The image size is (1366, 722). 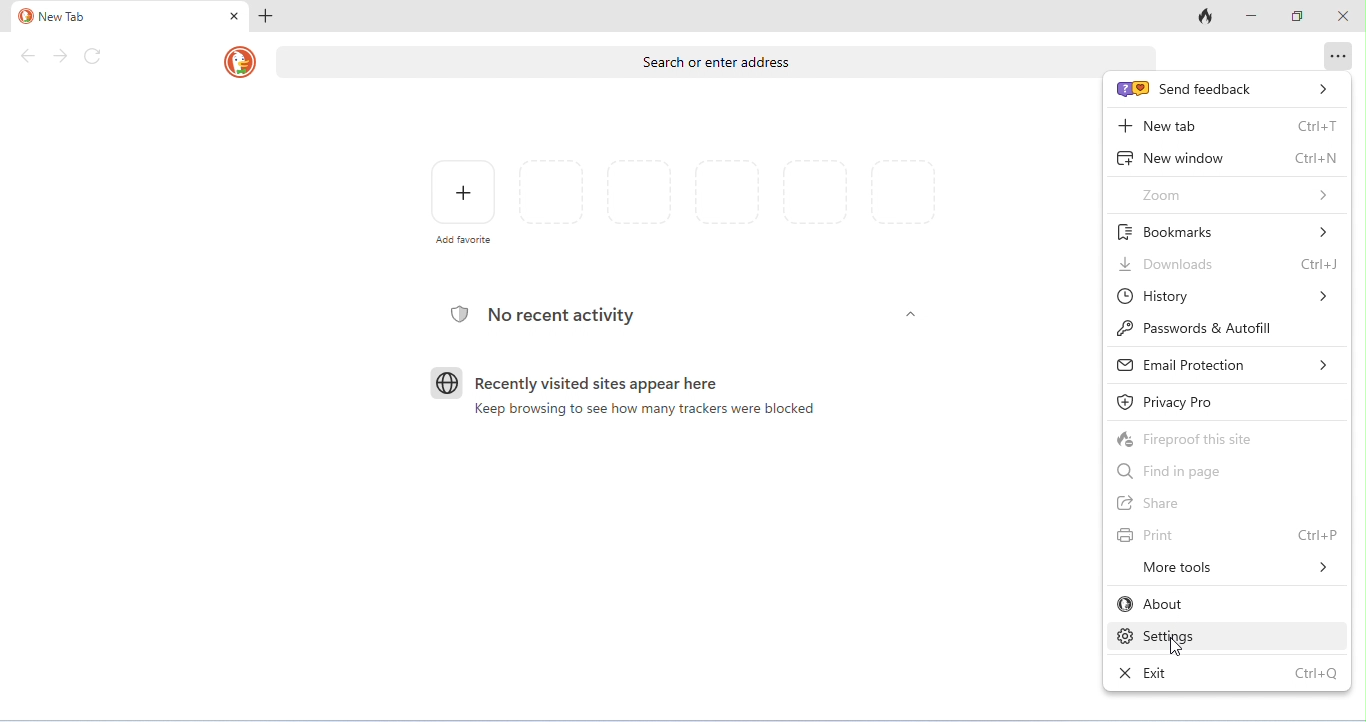 I want to click on email protection, so click(x=1226, y=365).